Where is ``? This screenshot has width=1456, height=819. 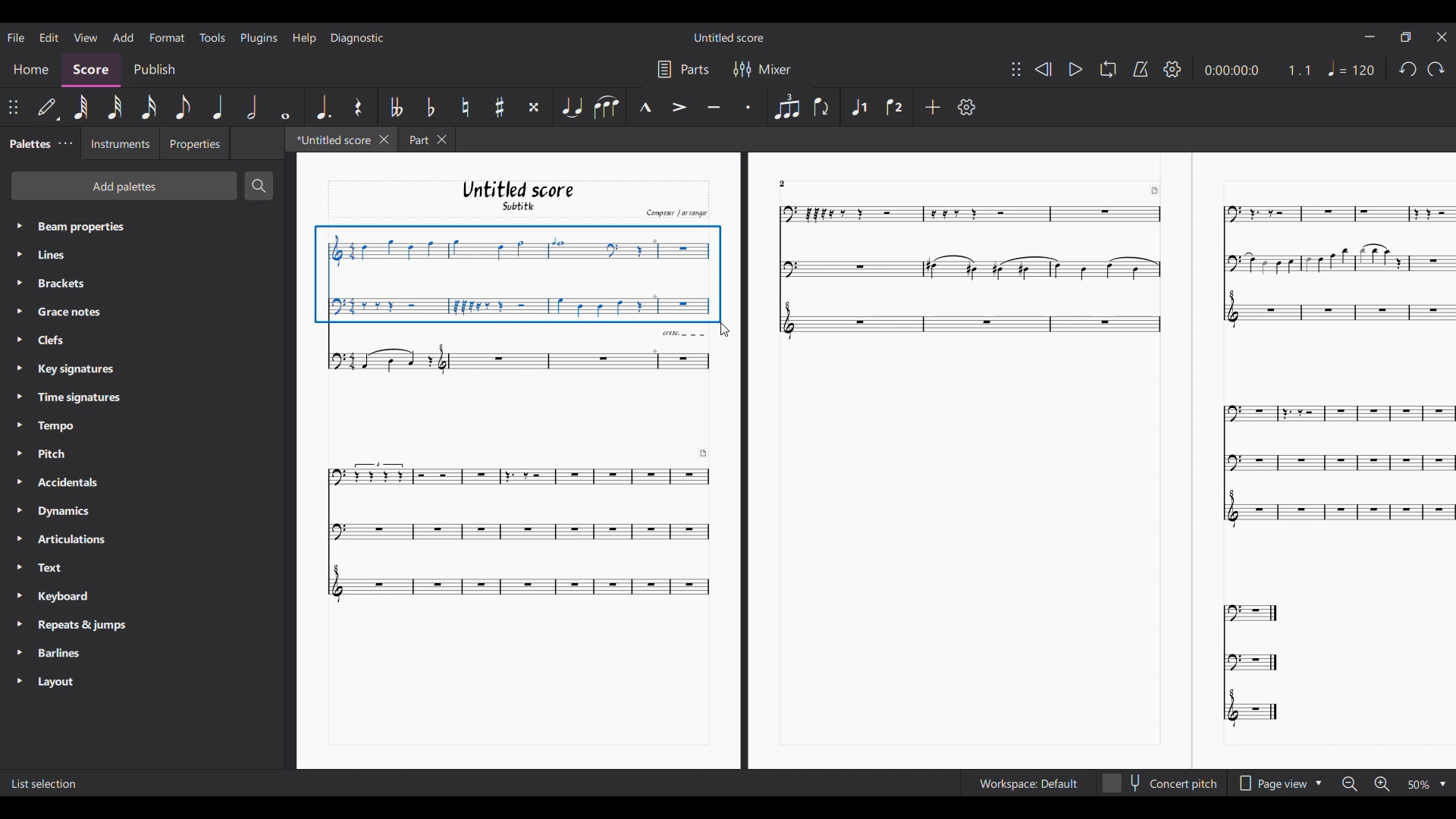
 is located at coordinates (973, 215).